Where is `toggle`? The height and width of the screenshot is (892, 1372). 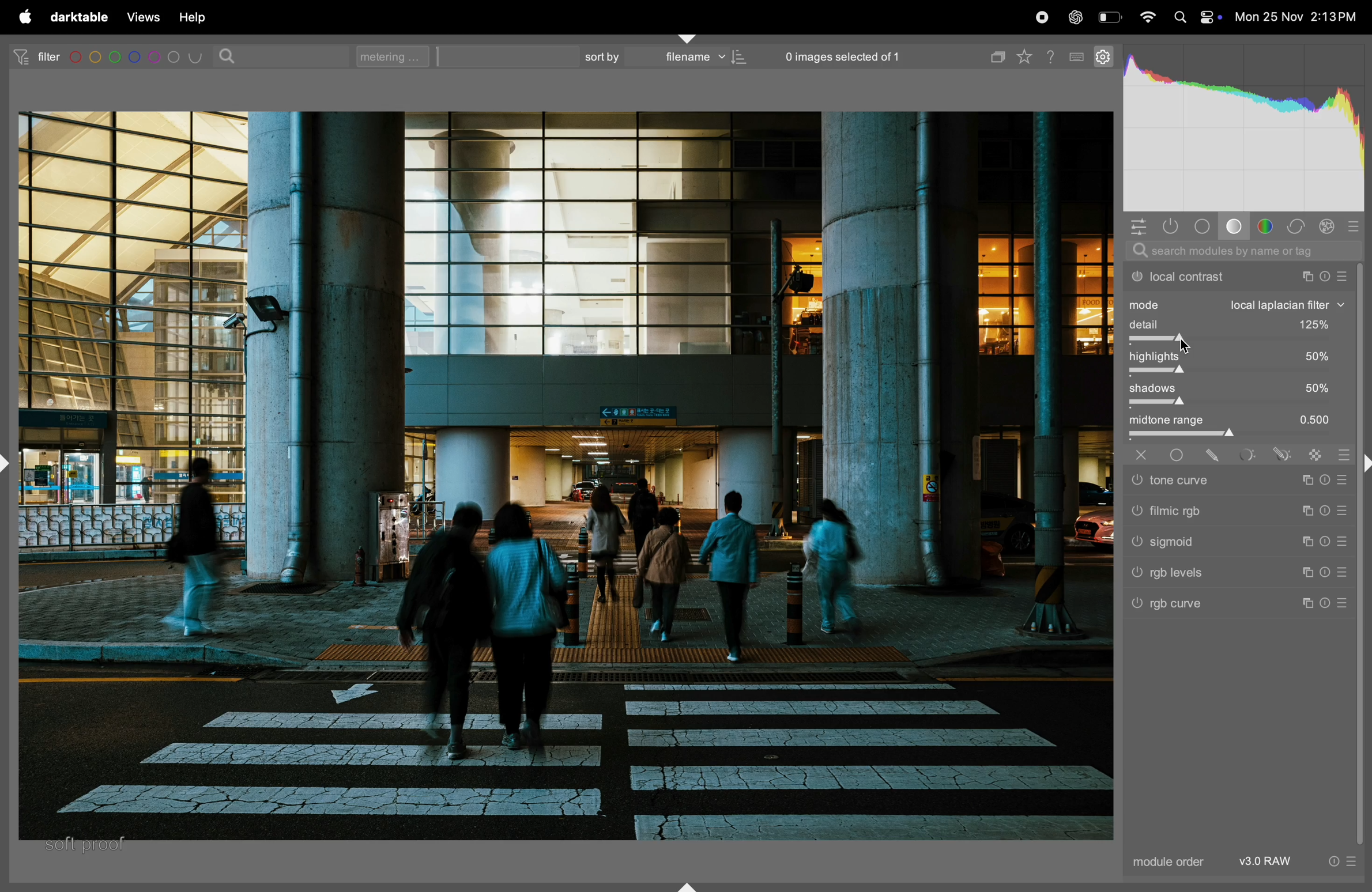 toggle is located at coordinates (1234, 404).